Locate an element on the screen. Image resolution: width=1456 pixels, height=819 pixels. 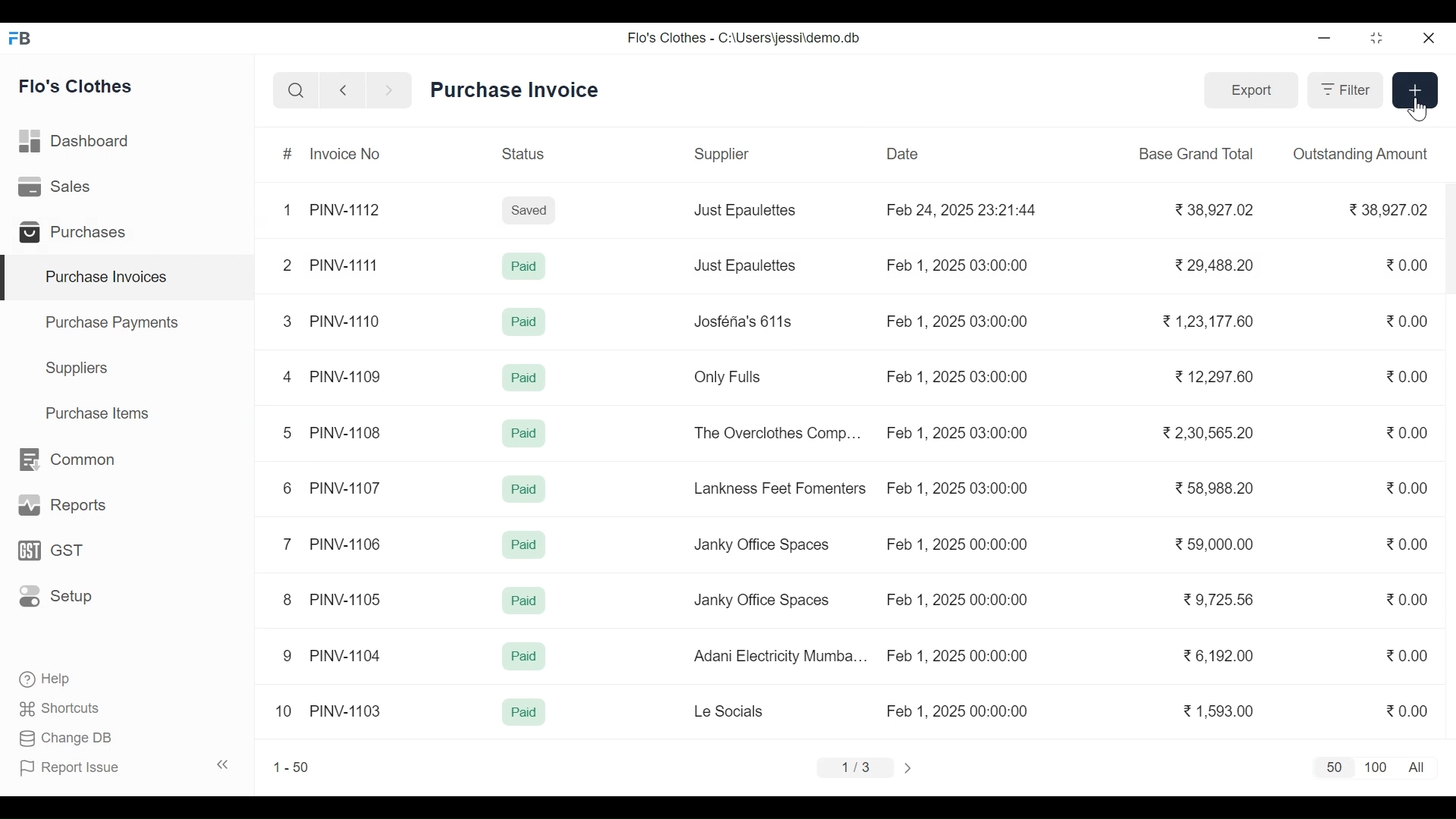
Paid is located at coordinates (525, 657).